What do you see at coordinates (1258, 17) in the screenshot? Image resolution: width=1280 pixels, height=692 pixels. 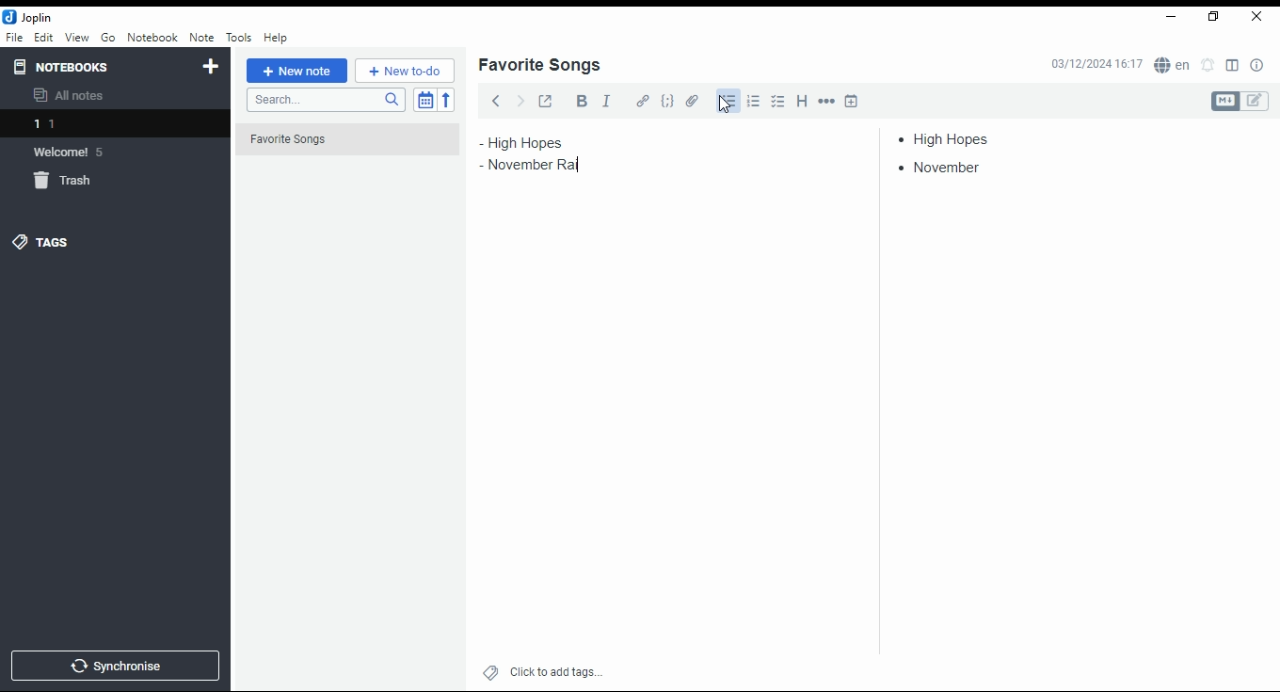 I see `close window` at bounding box center [1258, 17].